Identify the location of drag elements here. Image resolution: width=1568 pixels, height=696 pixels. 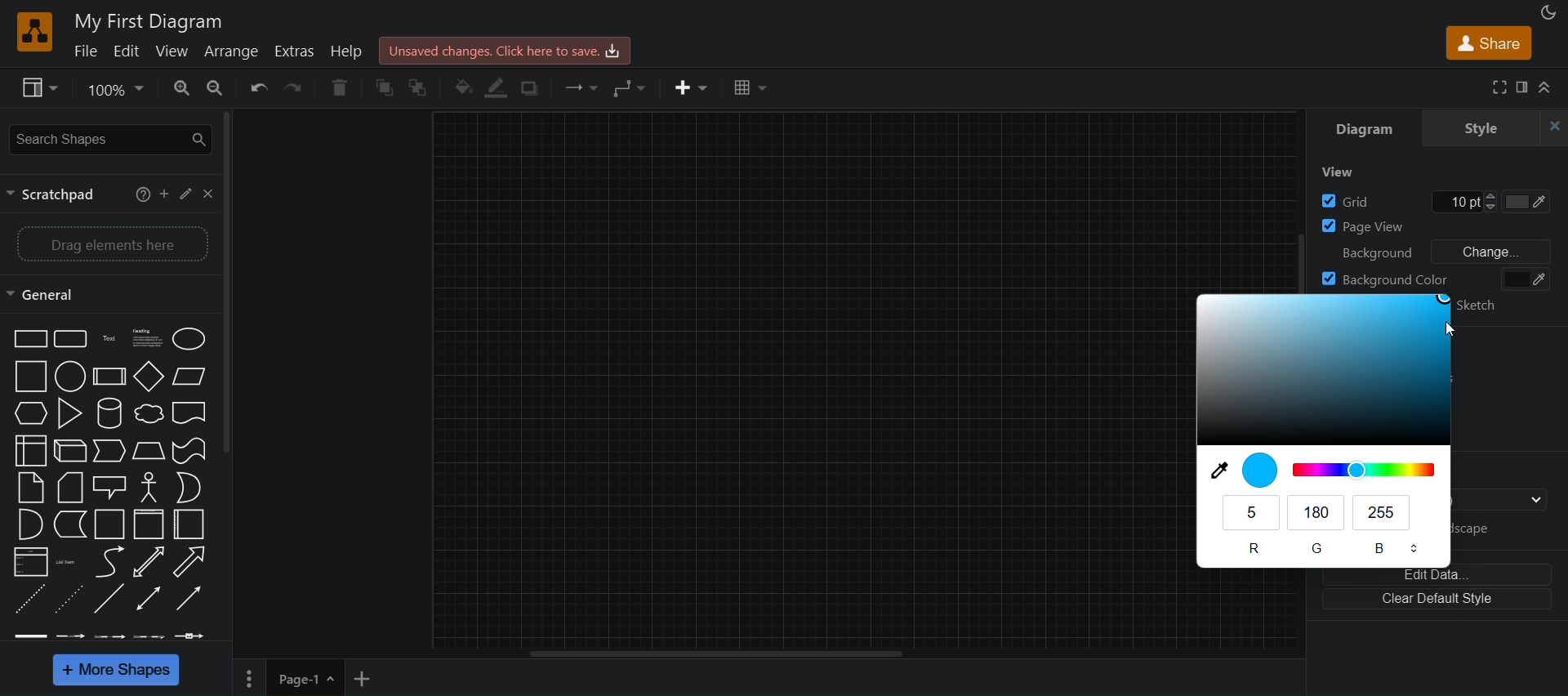
(111, 243).